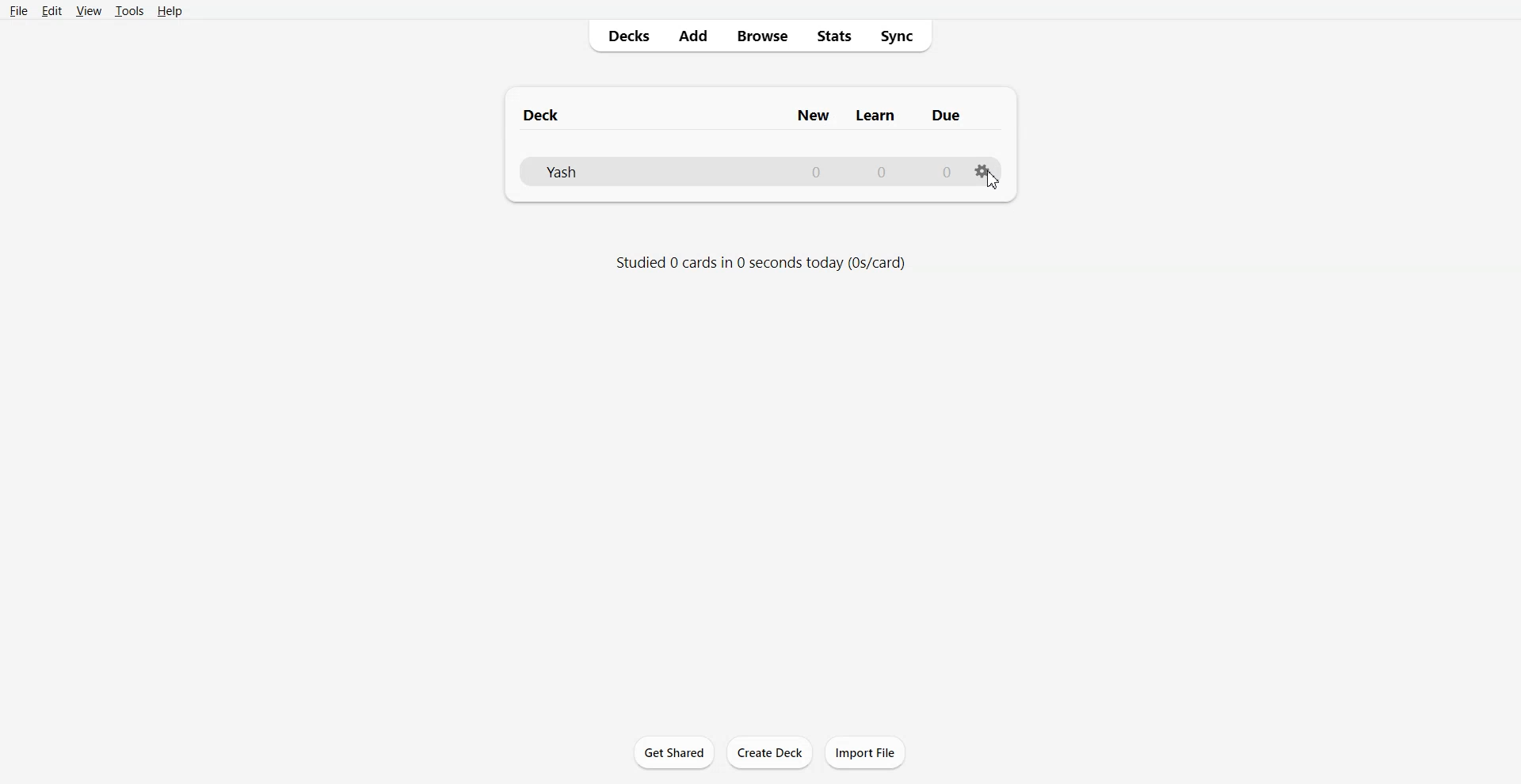 This screenshot has height=784, width=1521. What do you see at coordinates (673, 751) in the screenshot?
I see `Get shared` at bounding box center [673, 751].